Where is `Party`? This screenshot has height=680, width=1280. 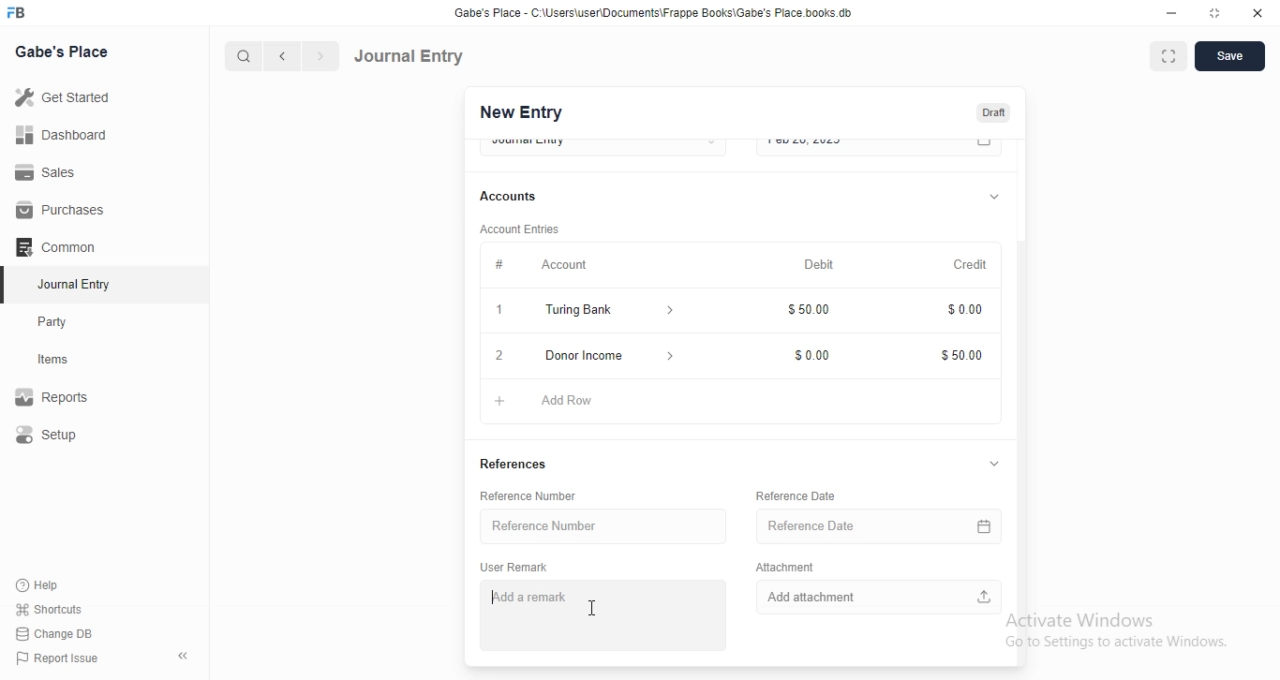
Party is located at coordinates (66, 322).